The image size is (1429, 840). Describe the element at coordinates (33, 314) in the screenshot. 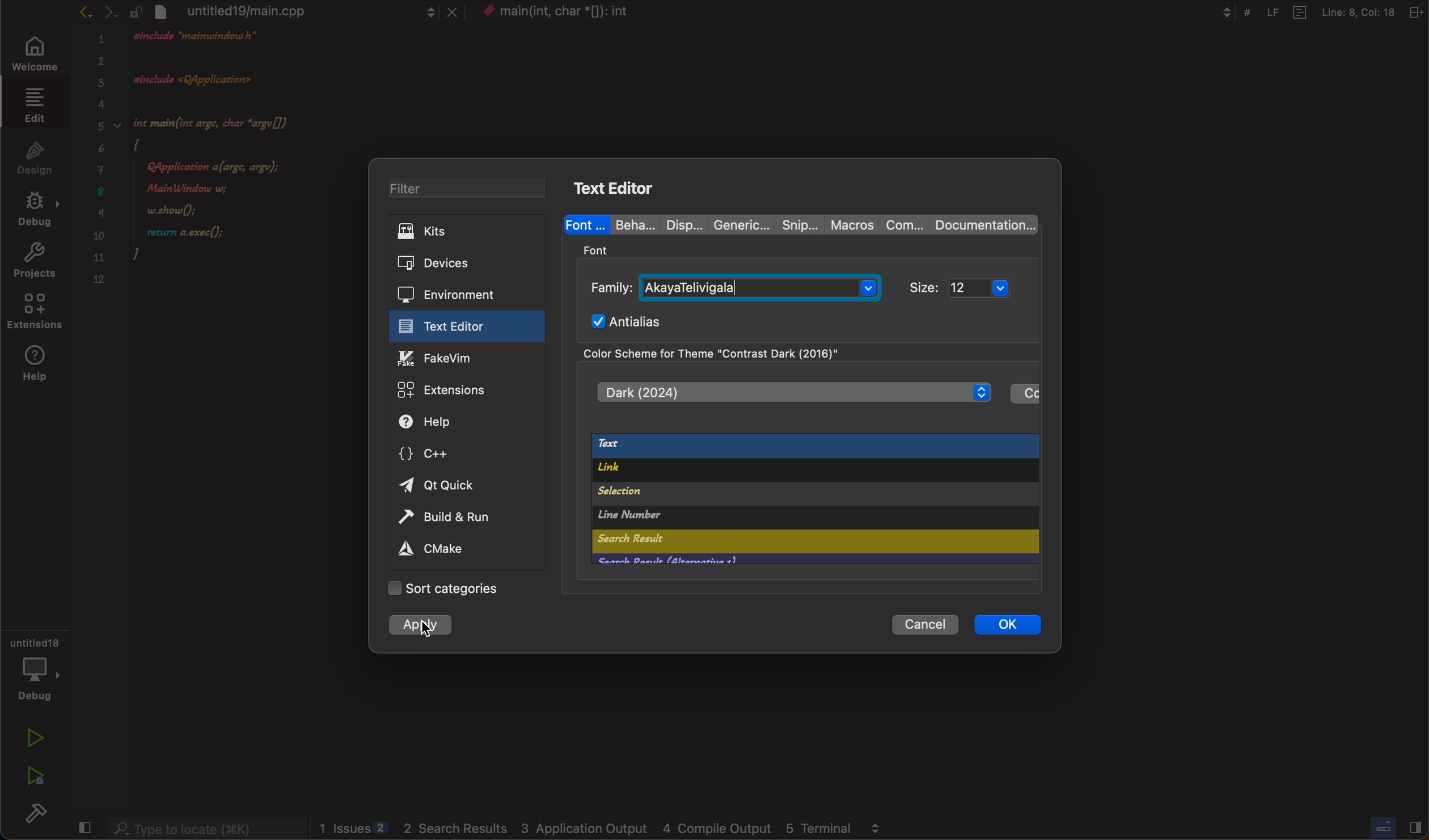

I see `extensions` at that location.